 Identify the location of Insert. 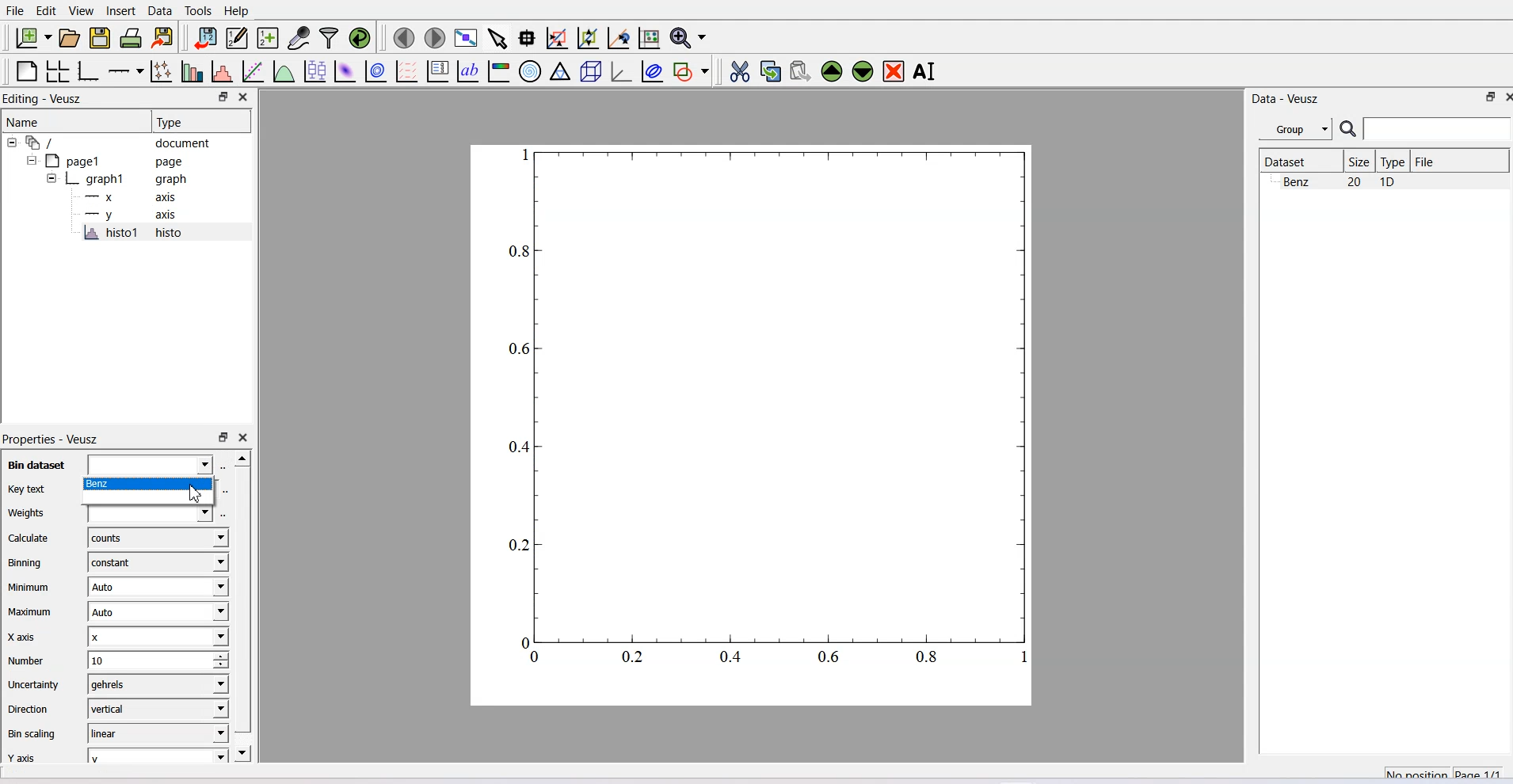
(123, 11).